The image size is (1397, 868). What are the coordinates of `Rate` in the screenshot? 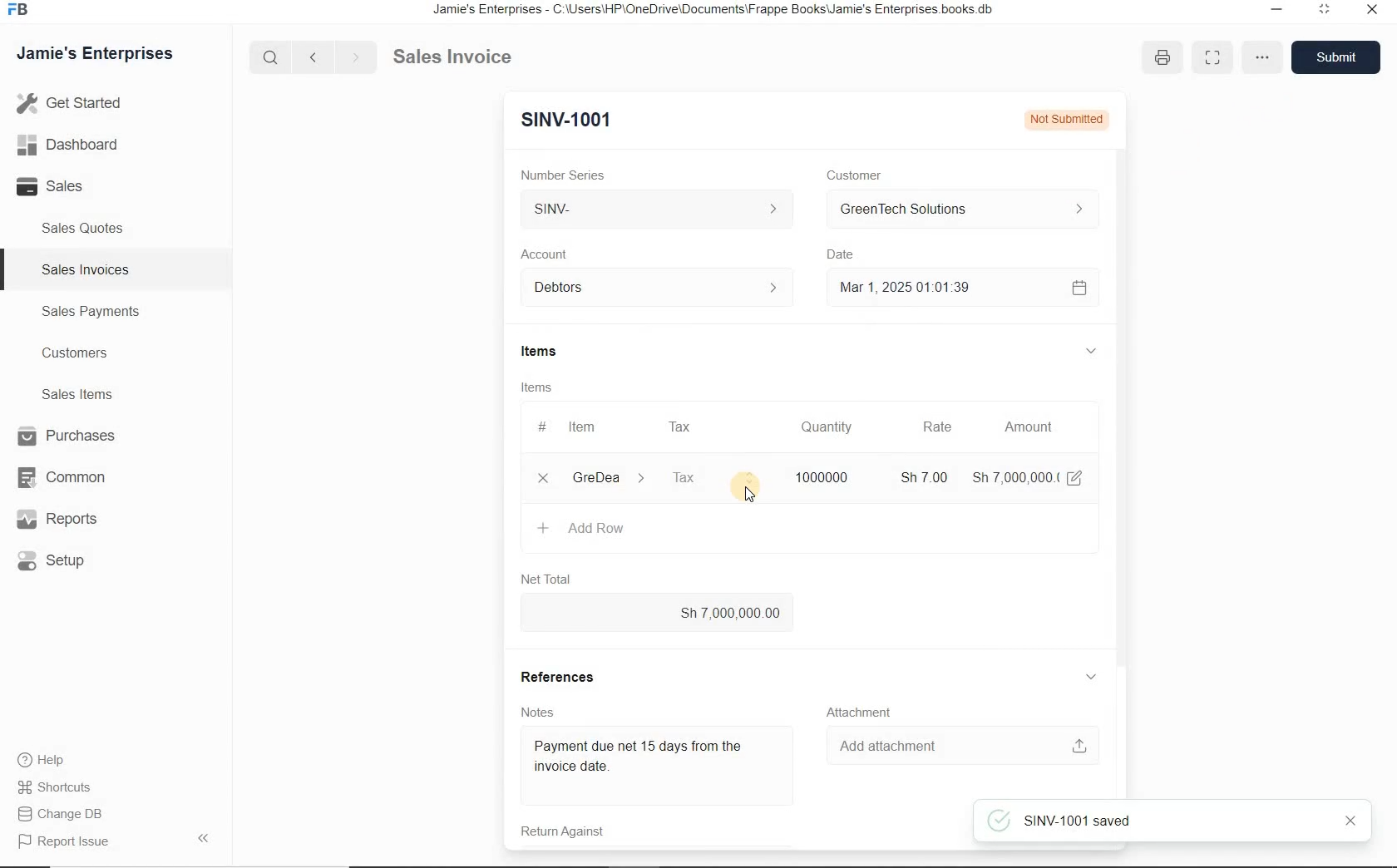 It's located at (937, 428).